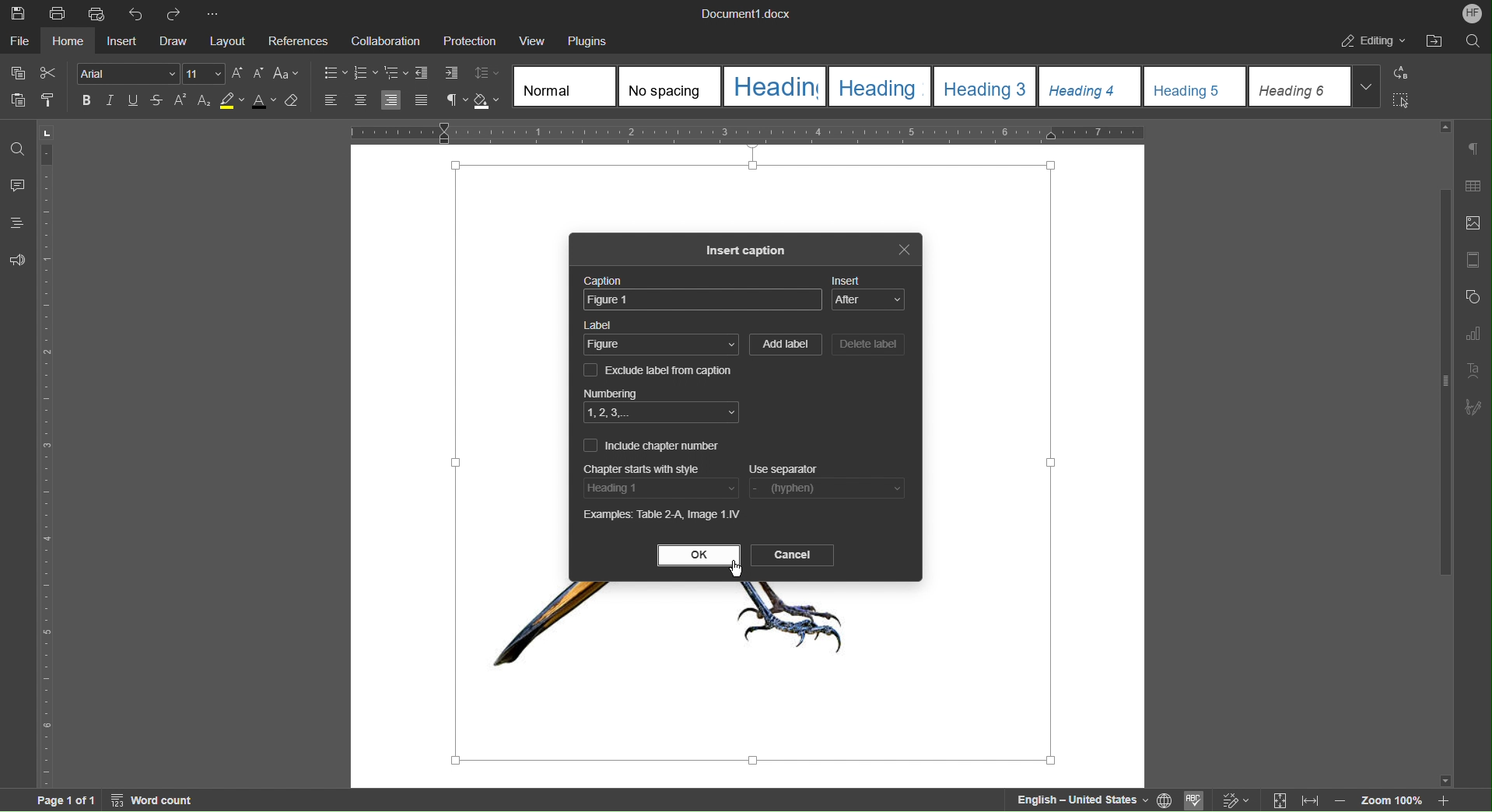 The width and height of the screenshot is (1492, 812). Describe the element at coordinates (156, 800) in the screenshot. I see `Word Count` at that location.